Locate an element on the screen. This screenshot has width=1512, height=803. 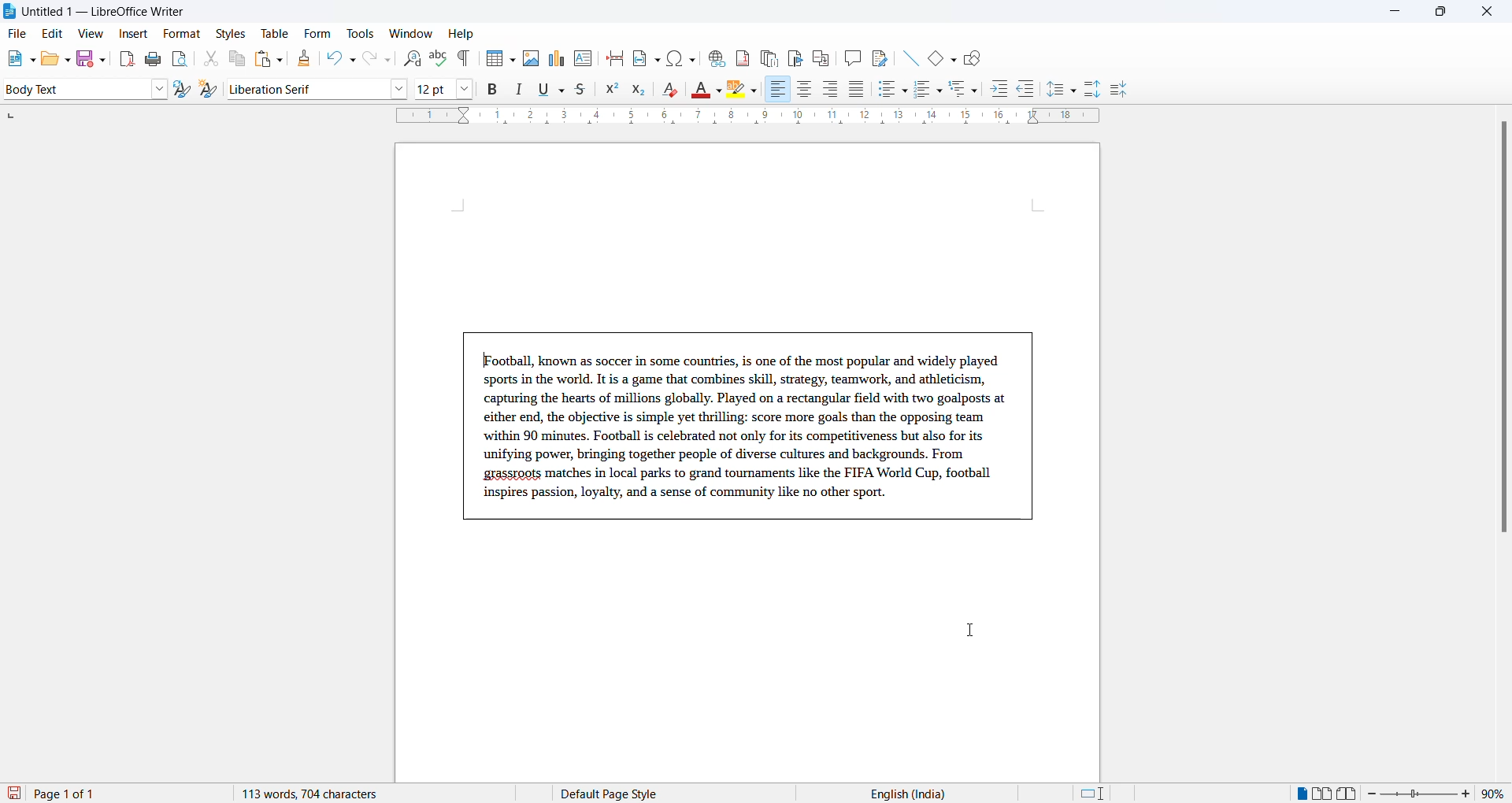
print is located at coordinates (154, 59).